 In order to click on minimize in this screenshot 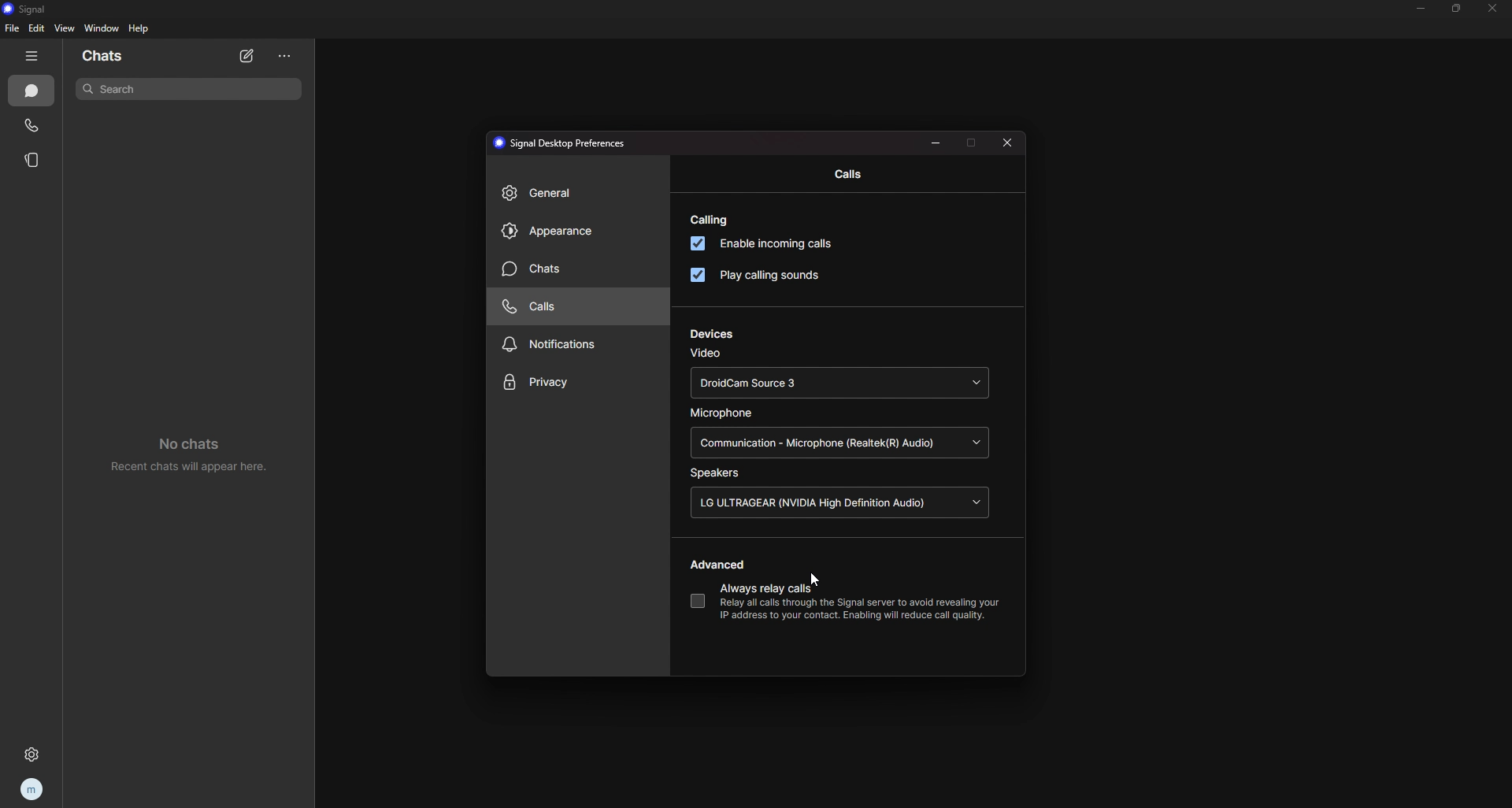, I will do `click(1422, 8)`.